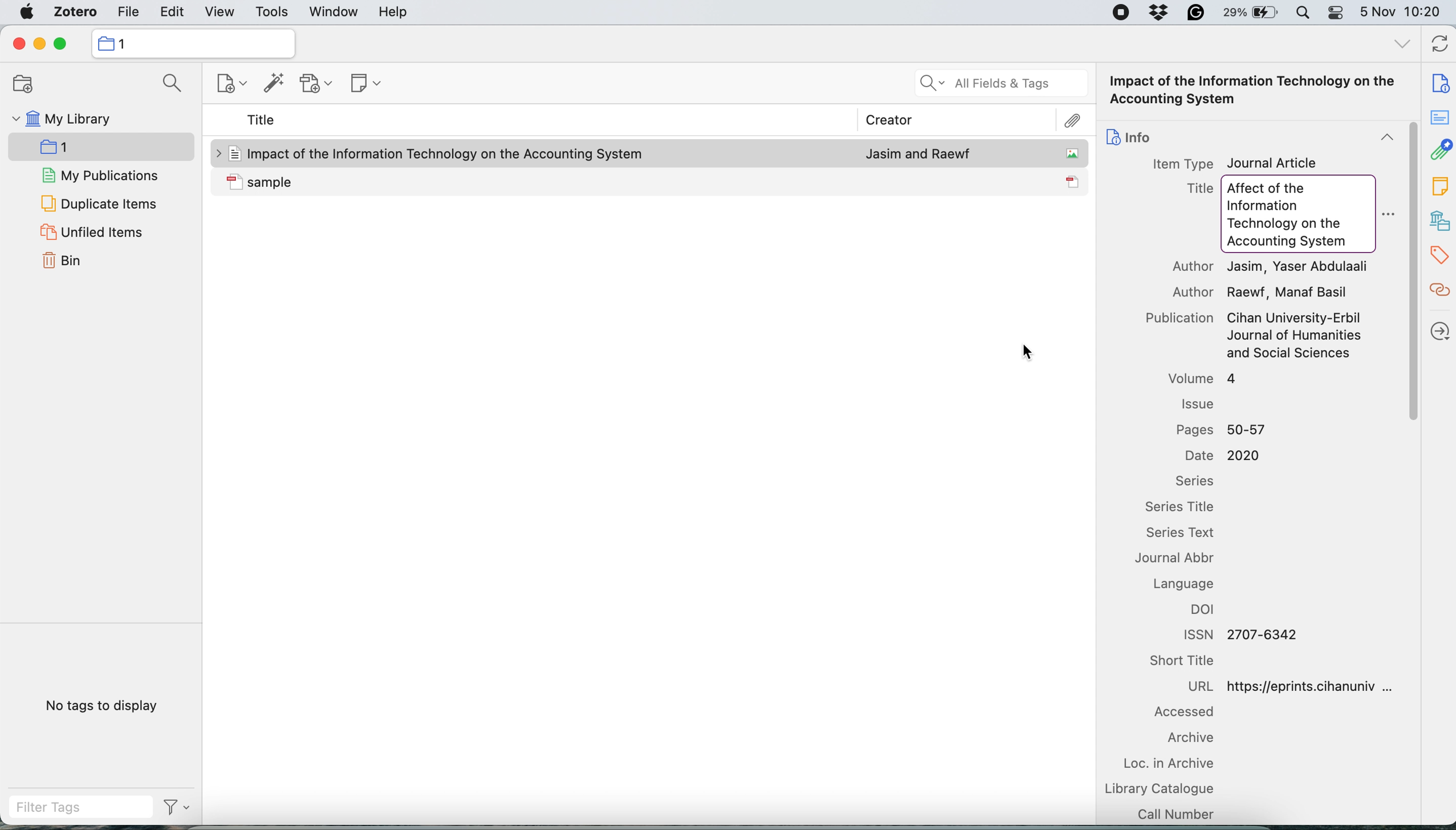 The height and width of the screenshot is (830, 1456). What do you see at coordinates (1181, 558) in the screenshot?
I see `journal abbr` at bounding box center [1181, 558].